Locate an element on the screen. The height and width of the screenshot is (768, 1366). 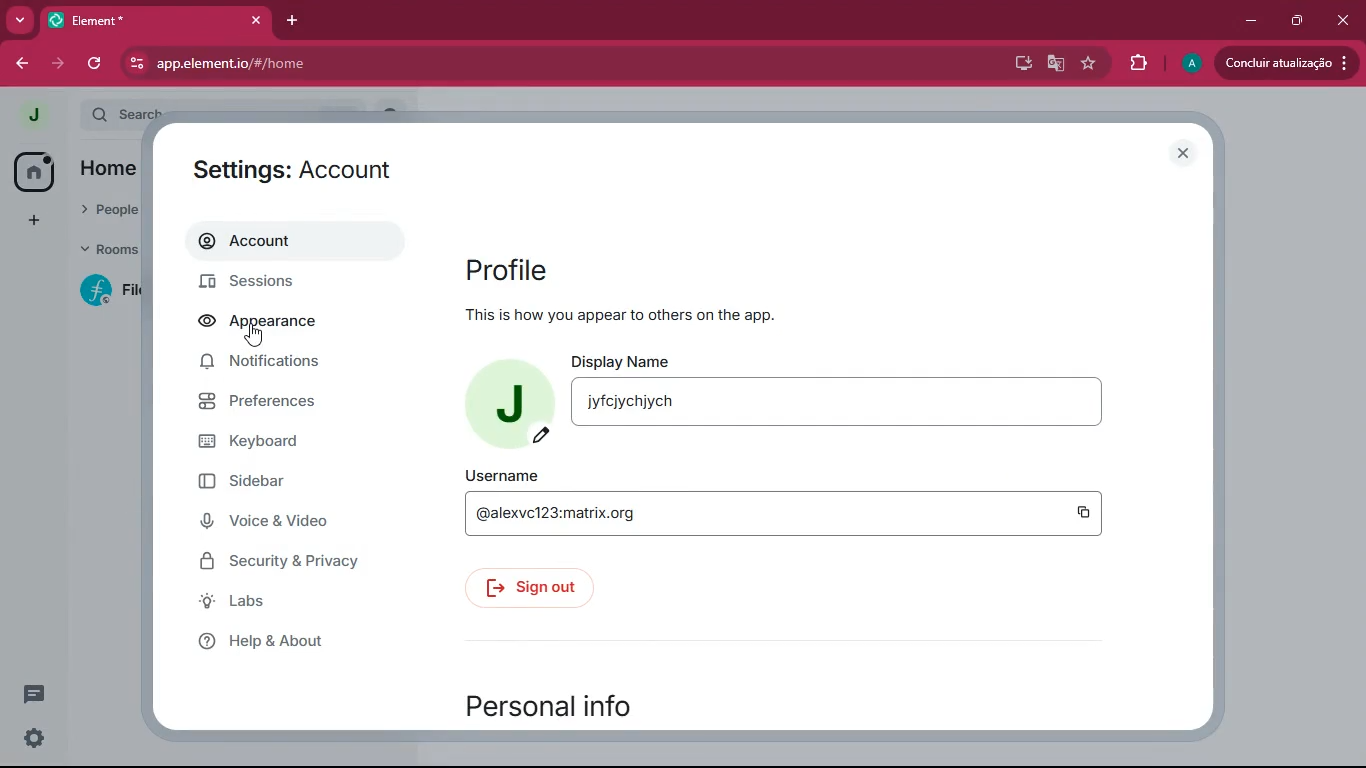
help is located at coordinates (279, 641).